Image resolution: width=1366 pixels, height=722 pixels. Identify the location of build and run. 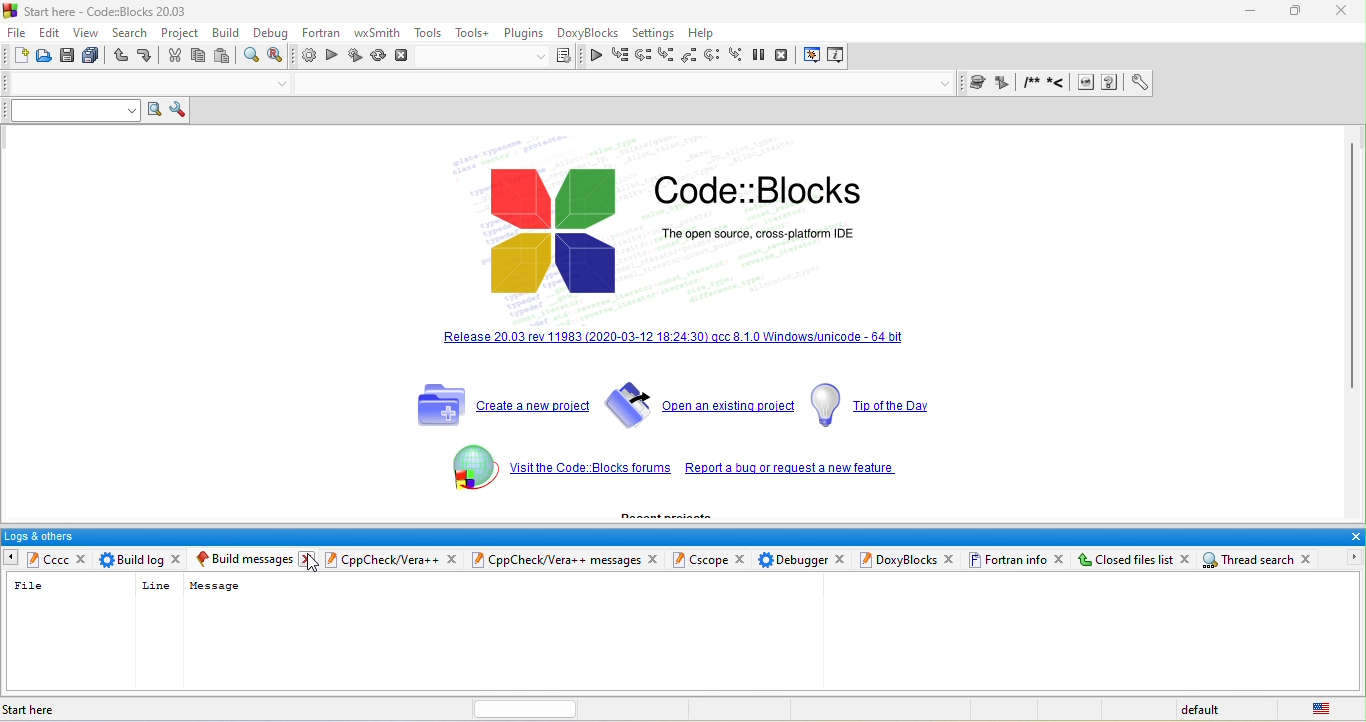
(356, 56).